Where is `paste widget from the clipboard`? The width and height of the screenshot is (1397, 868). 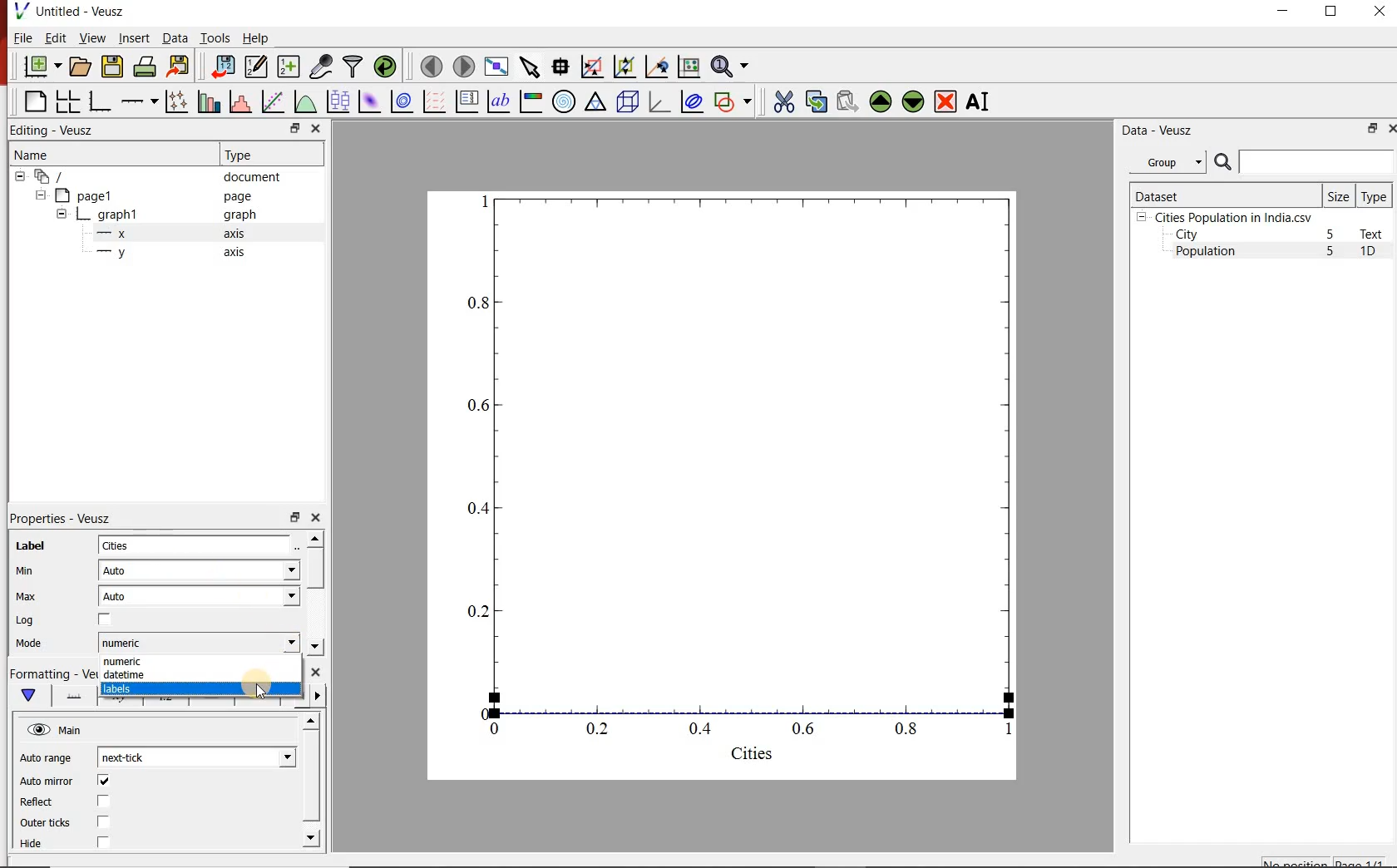 paste widget from the clipboard is located at coordinates (847, 101).